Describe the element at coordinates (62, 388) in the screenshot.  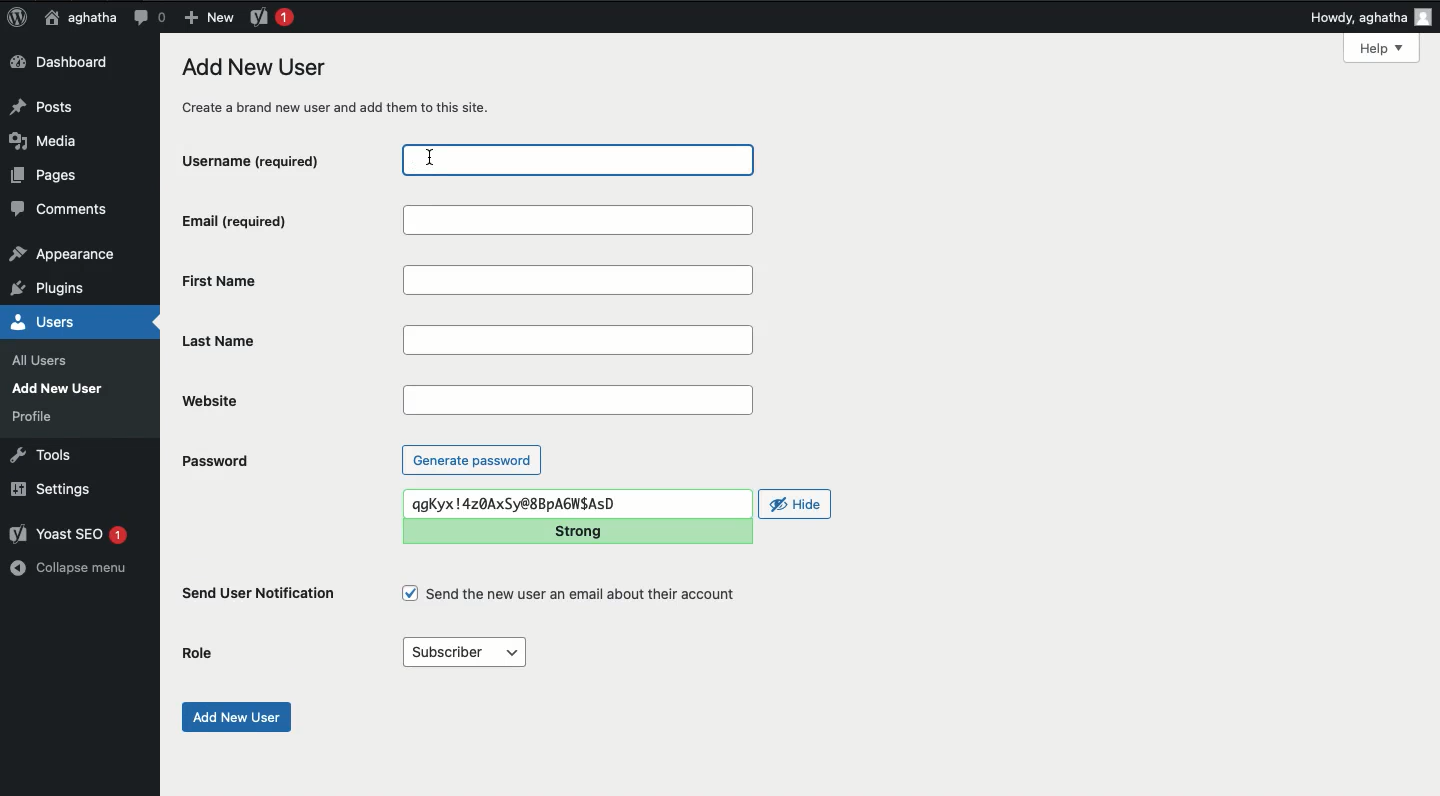
I see `Add New User` at that location.